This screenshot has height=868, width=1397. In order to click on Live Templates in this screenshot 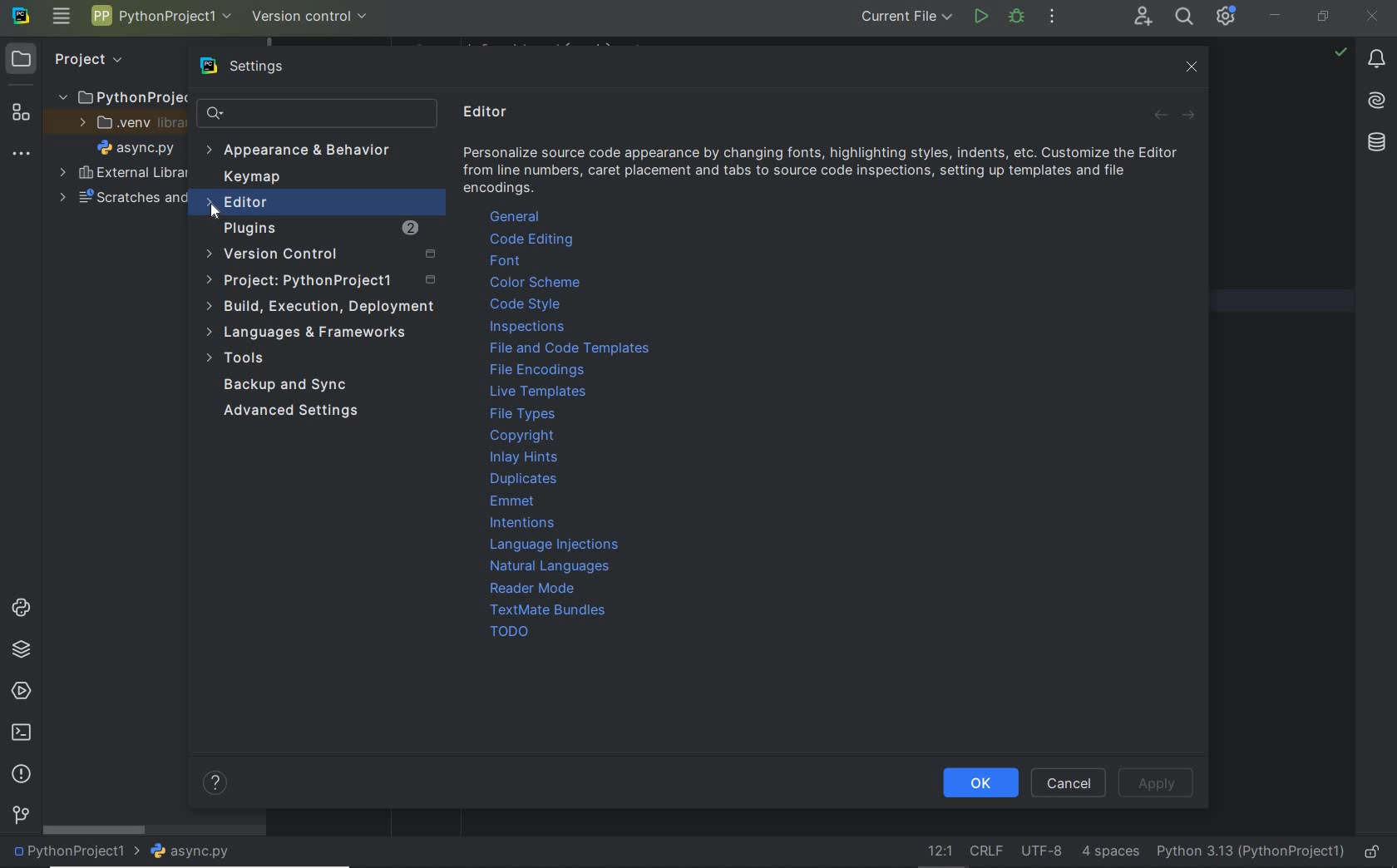, I will do `click(536, 394)`.